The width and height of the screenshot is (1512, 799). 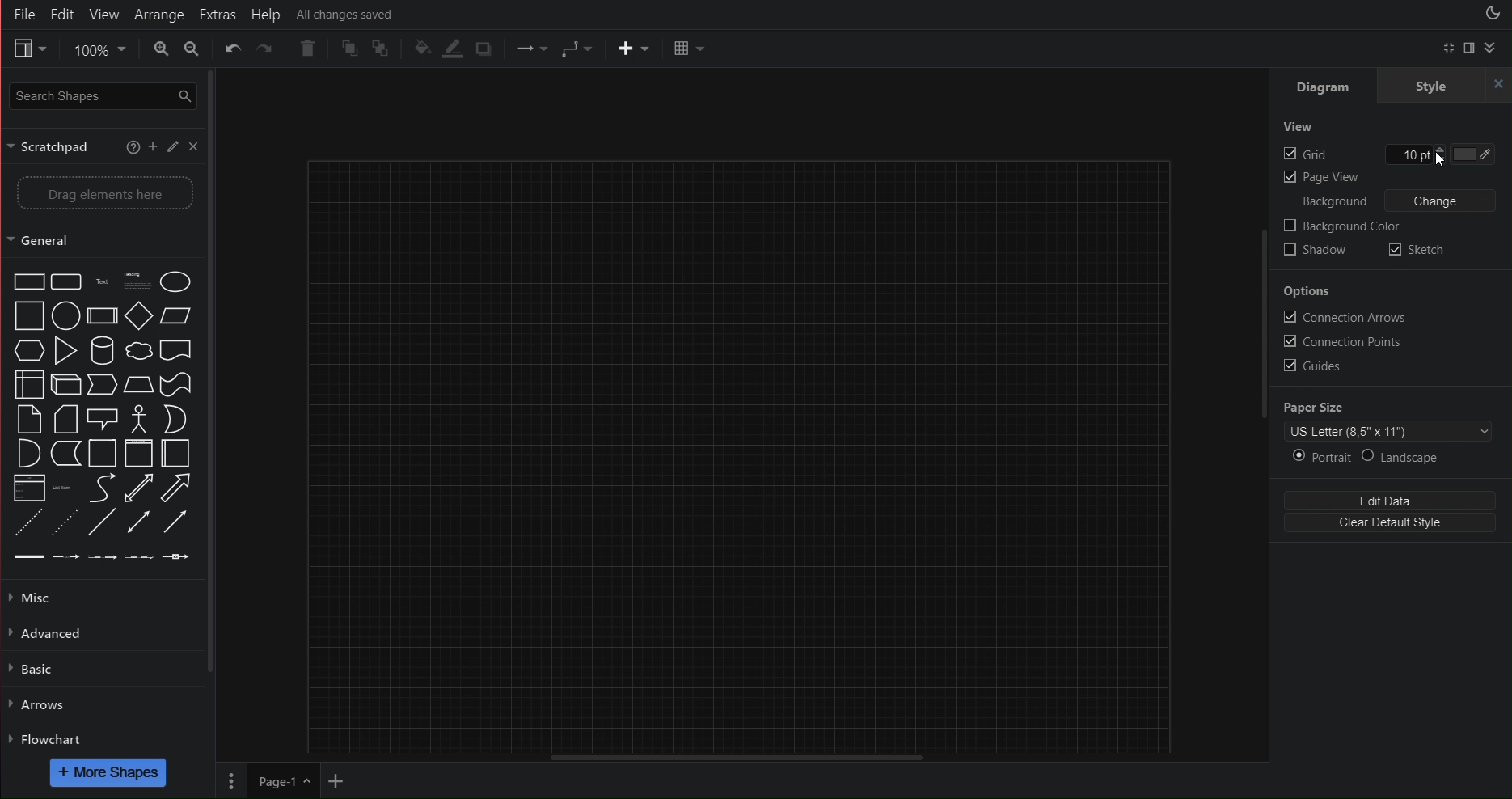 I want to click on Diagram, so click(x=1324, y=87).